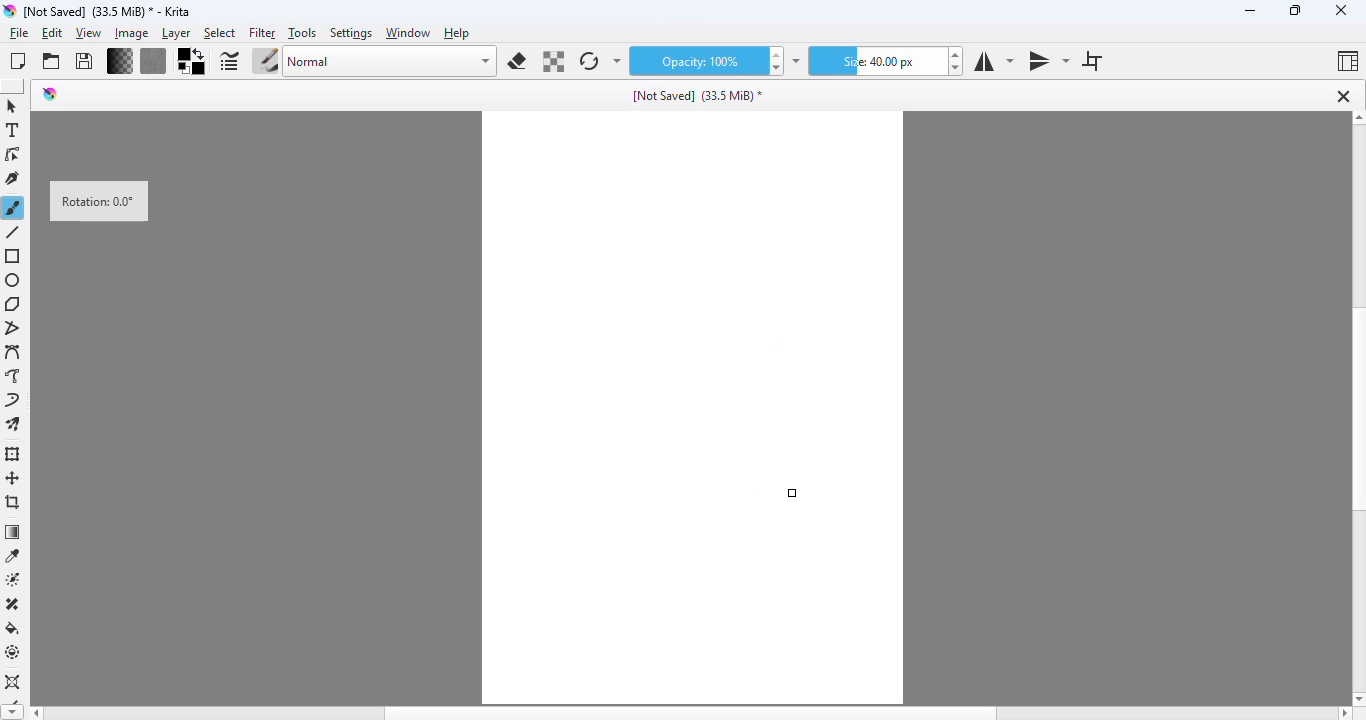  What do you see at coordinates (392, 62) in the screenshot?
I see `blending mode` at bounding box center [392, 62].